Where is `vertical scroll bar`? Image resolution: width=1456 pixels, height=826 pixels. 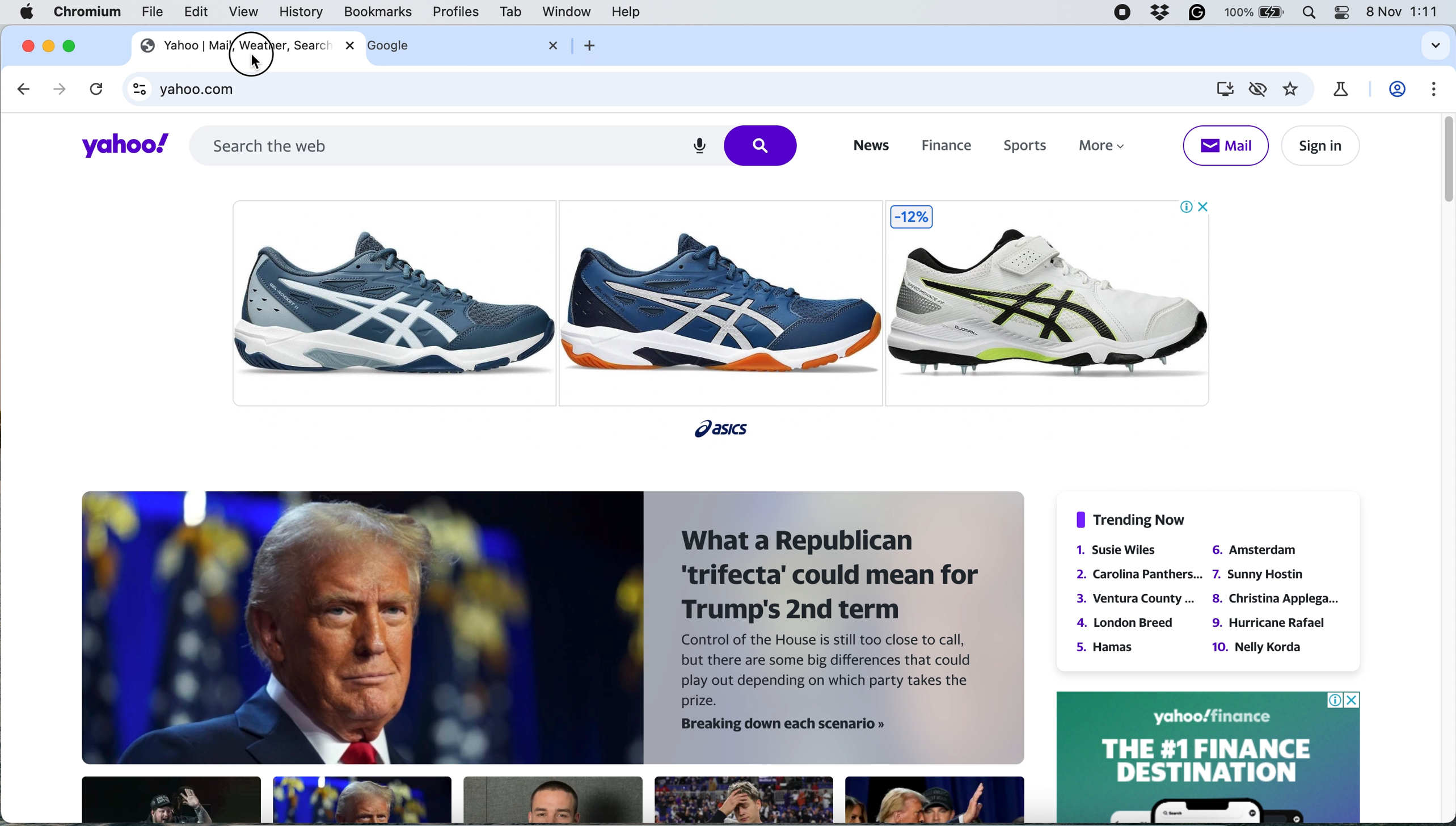
vertical scroll bar is located at coordinates (1442, 160).